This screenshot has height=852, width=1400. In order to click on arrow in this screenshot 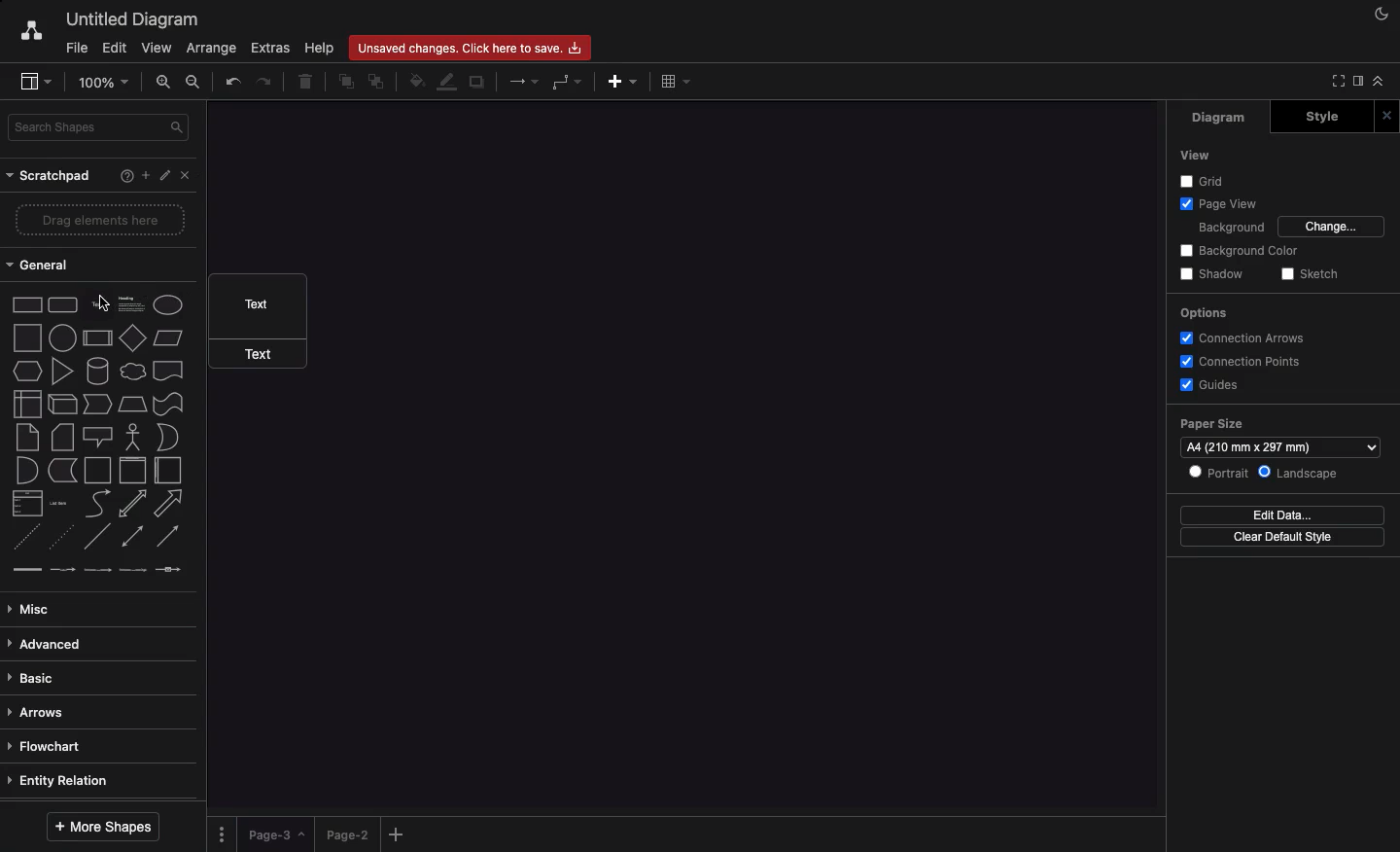, I will do `click(169, 504)`.